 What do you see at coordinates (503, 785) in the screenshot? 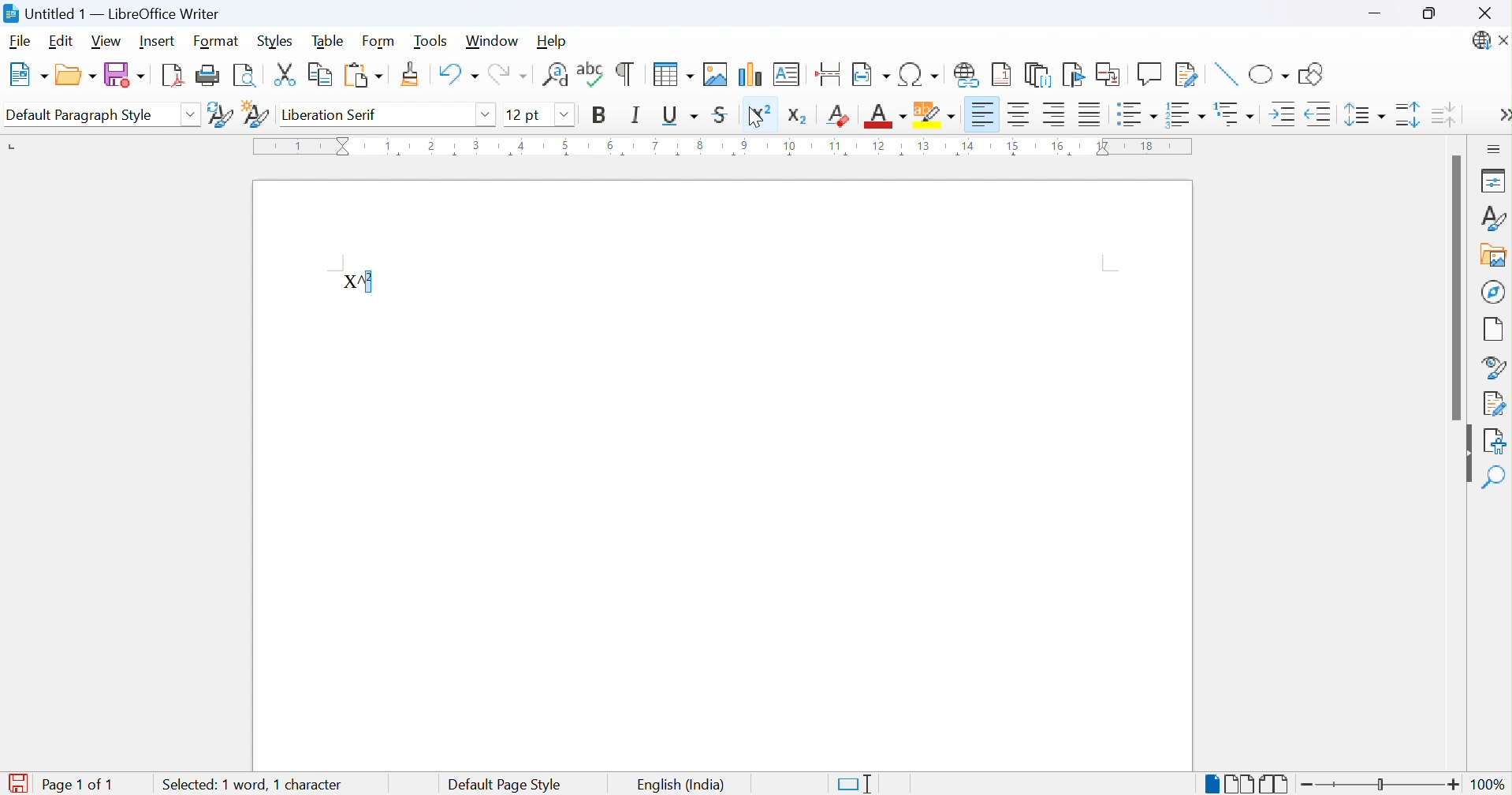
I see `Default page style` at bounding box center [503, 785].